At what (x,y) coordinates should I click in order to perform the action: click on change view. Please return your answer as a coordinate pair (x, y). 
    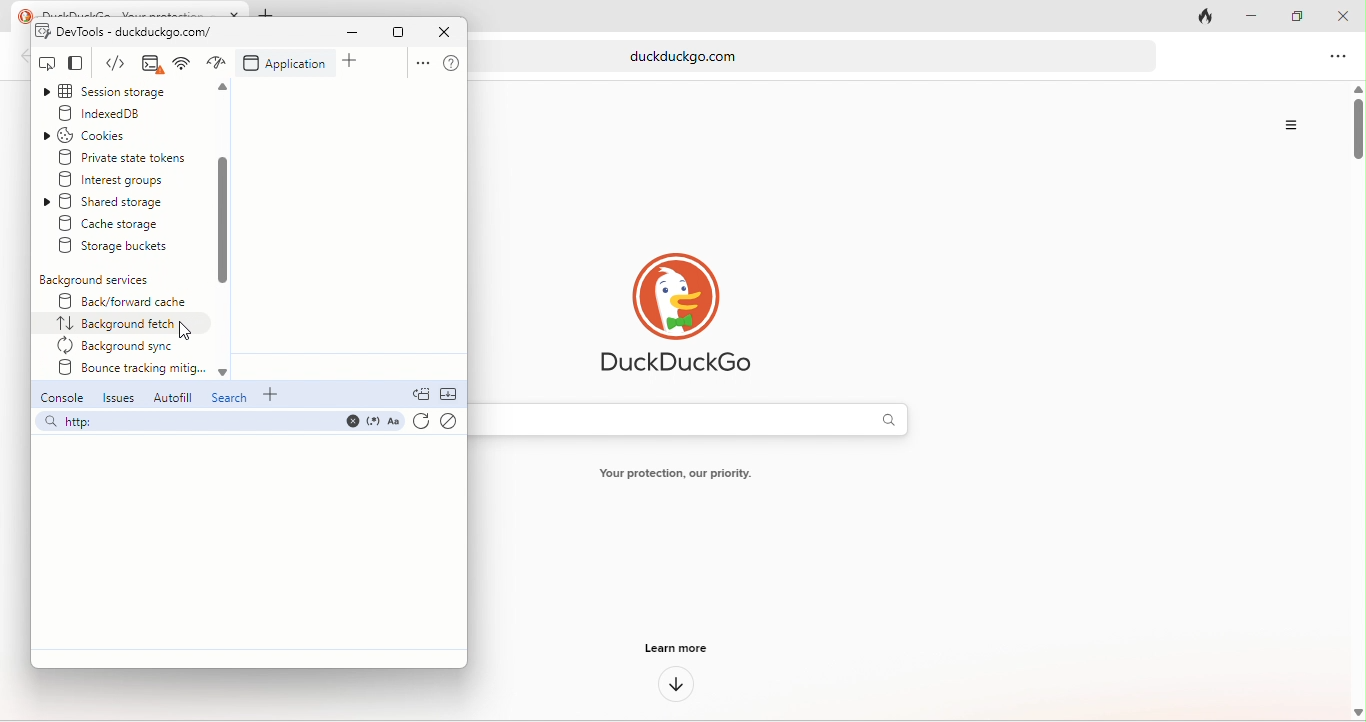
    Looking at the image, I should click on (84, 65).